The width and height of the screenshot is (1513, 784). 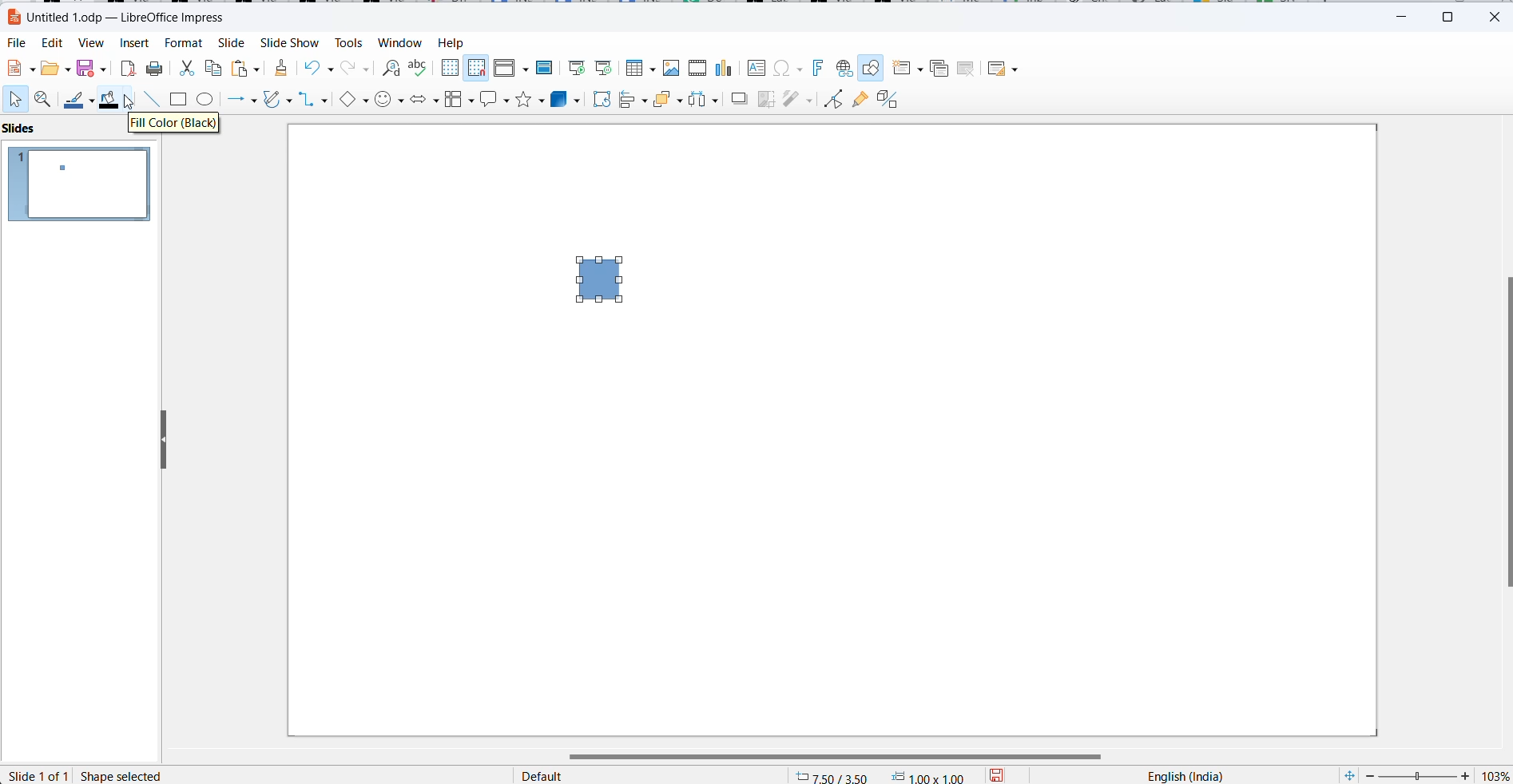 What do you see at coordinates (208, 101) in the screenshot?
I see `ellipse` at bounding box center [208, 101].